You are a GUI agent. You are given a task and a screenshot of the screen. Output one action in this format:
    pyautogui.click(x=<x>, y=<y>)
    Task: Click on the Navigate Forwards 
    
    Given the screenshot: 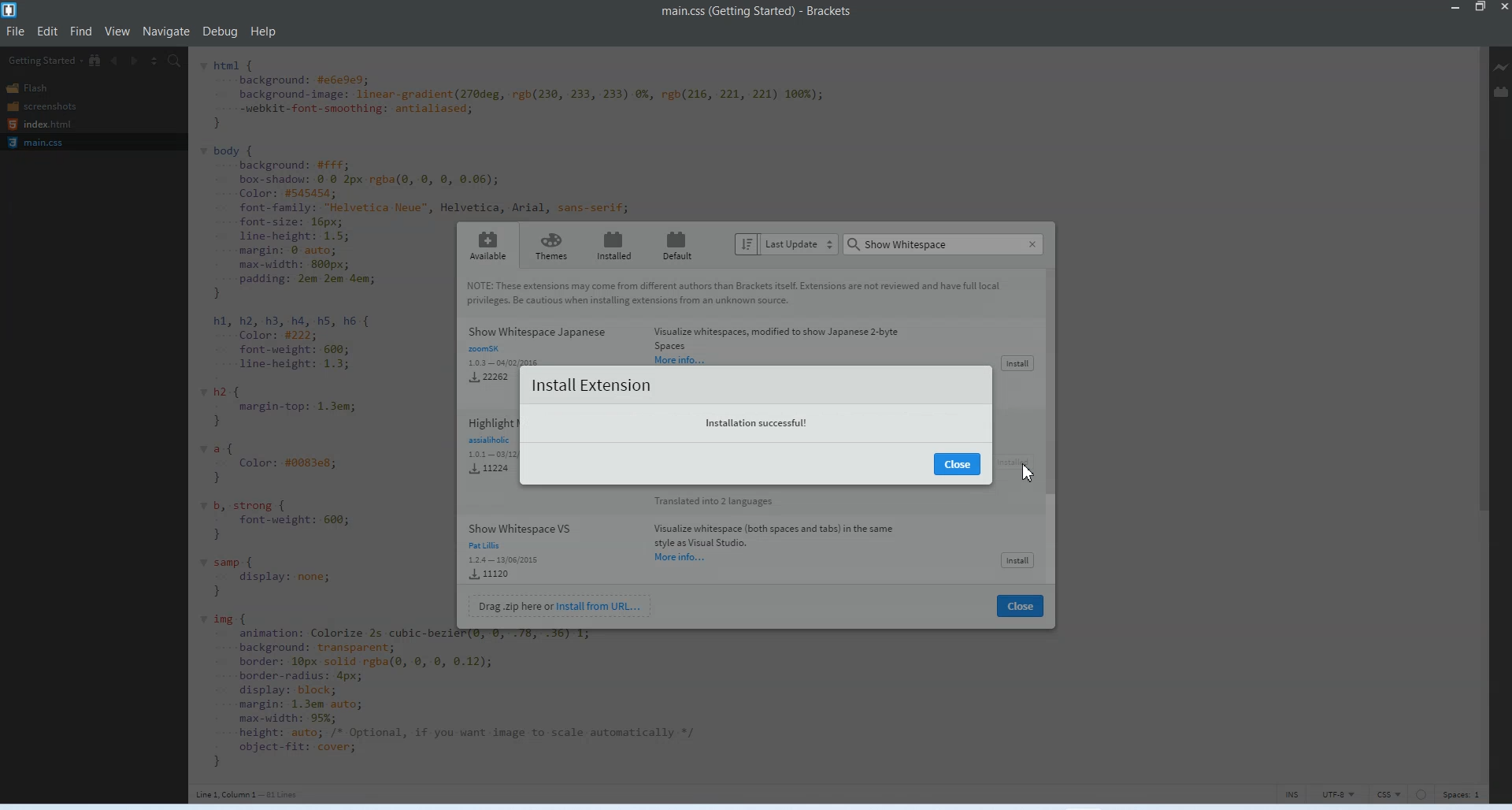 What is the action you would take?
    pyautogui.click(x=135, y=60)
    